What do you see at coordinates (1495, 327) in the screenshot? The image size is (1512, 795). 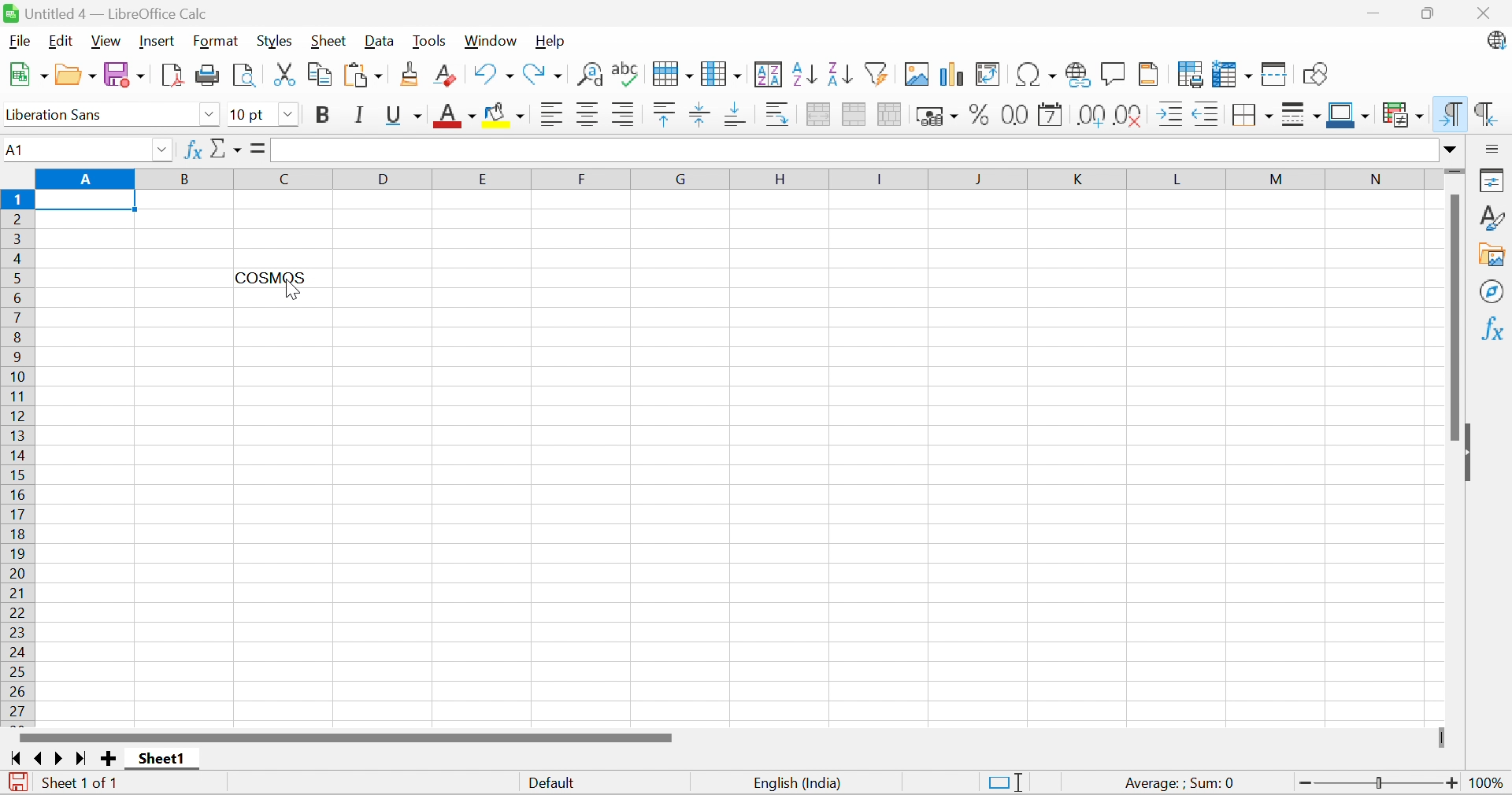 I see `Functions` at bounding box center [1495, 327].